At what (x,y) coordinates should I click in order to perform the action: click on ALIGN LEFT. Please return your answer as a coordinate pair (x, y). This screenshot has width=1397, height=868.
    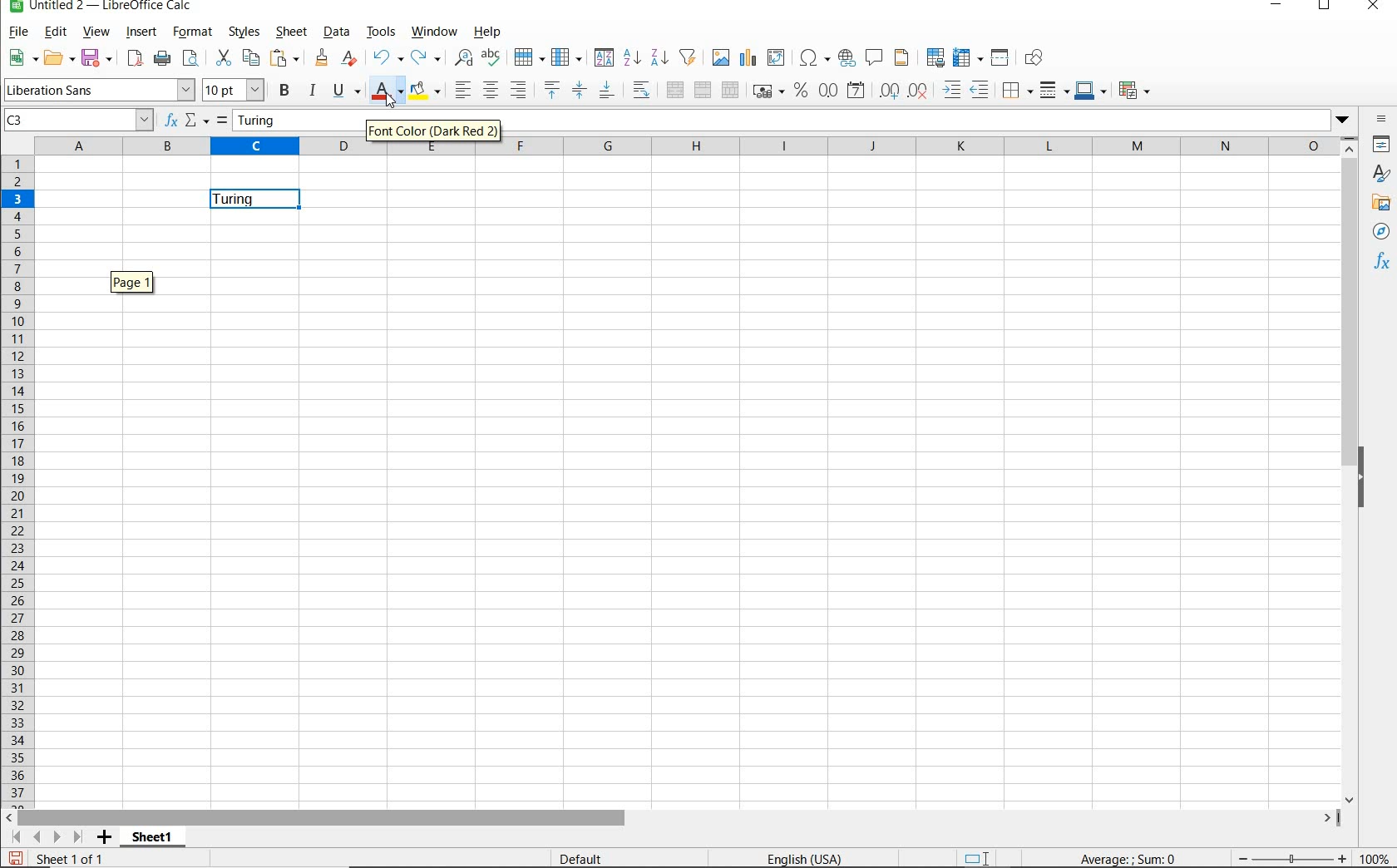
    Looking at the image, I should click on (462, 91).